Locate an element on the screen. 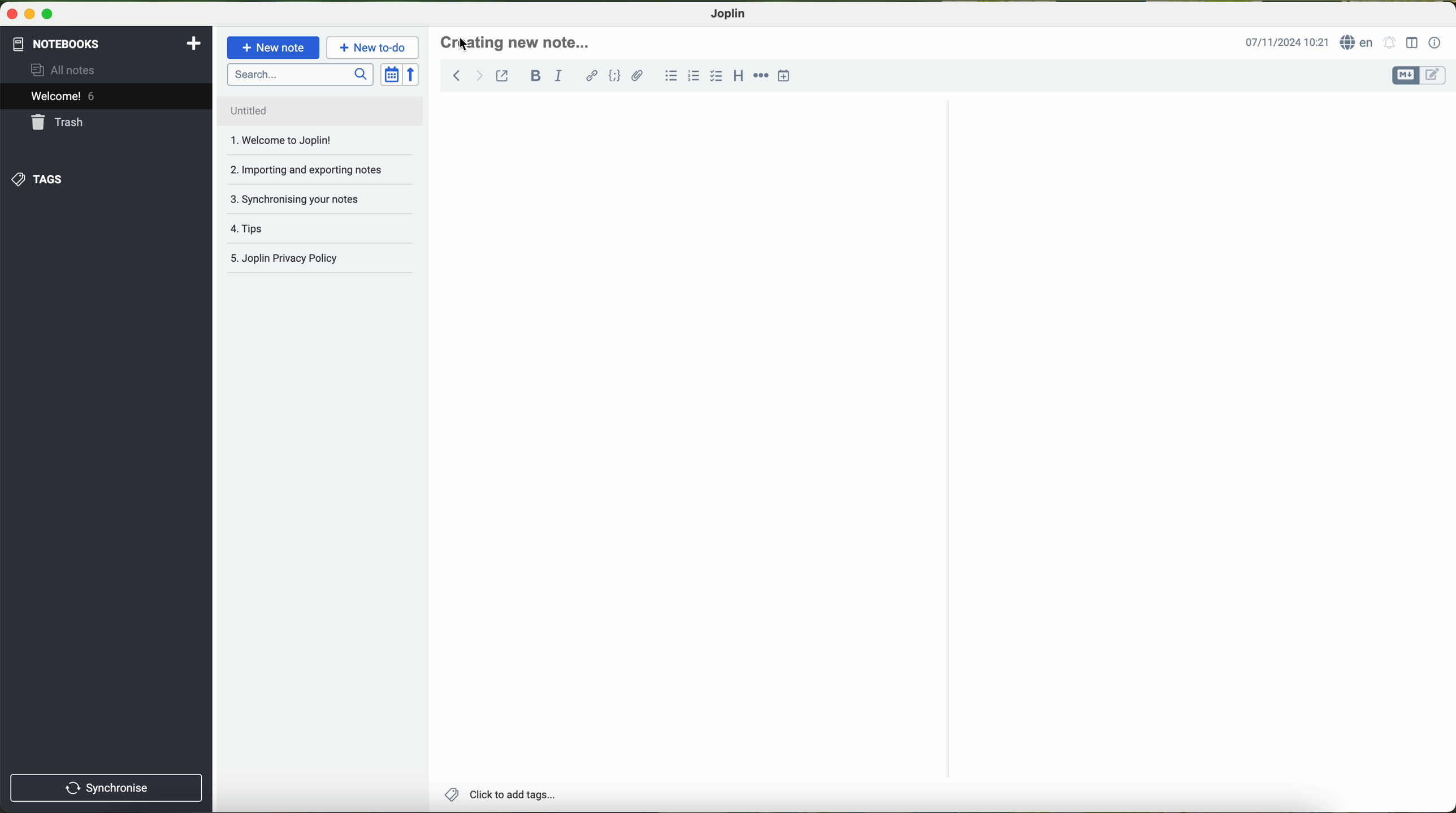  synchronnise button is located at coordinates (105, 789).